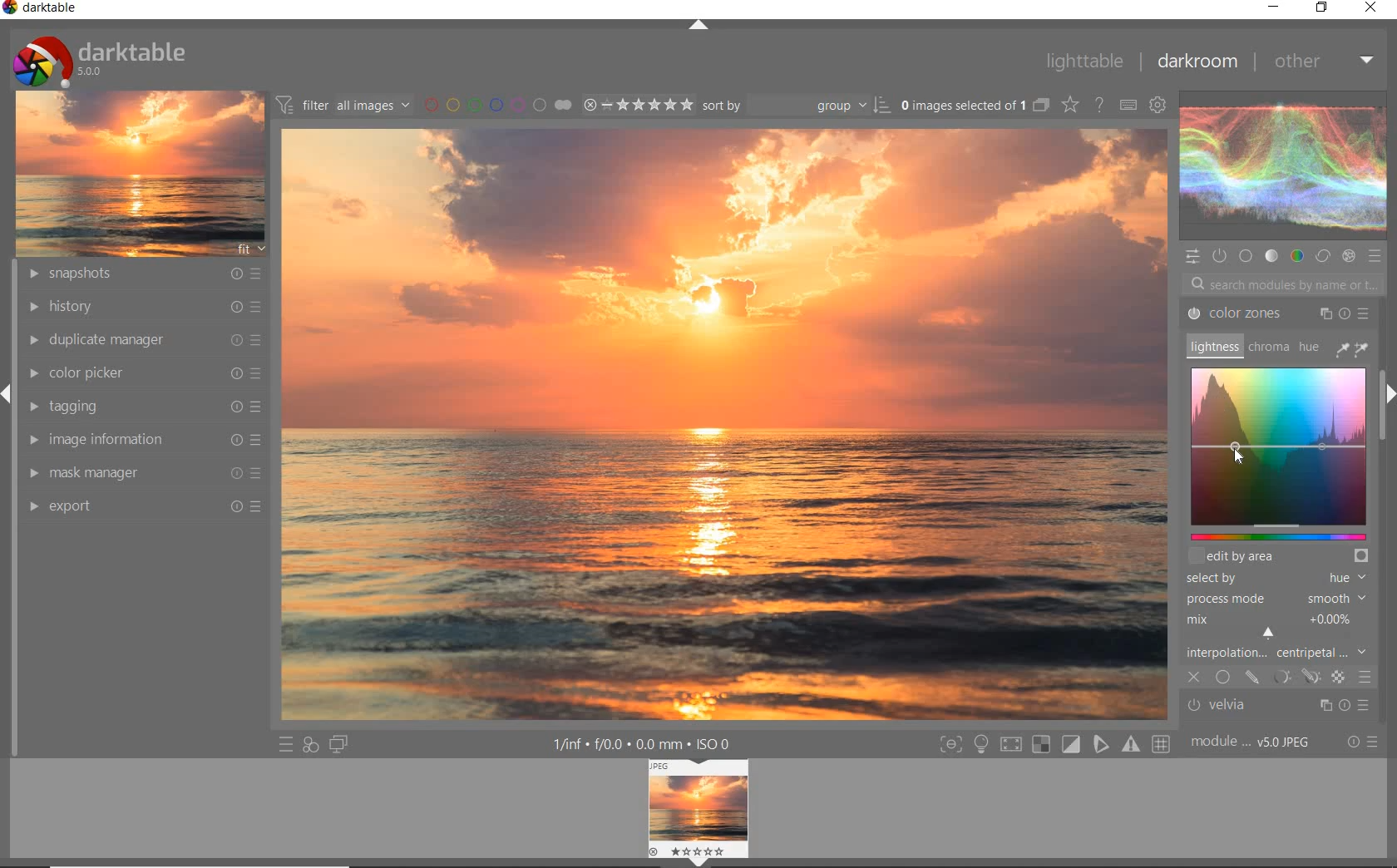 This screenshot has width=1397, height=868. Describe the element at coordinates (1281, 168) in the screenshot. I see `WAVE FORM` at that location.